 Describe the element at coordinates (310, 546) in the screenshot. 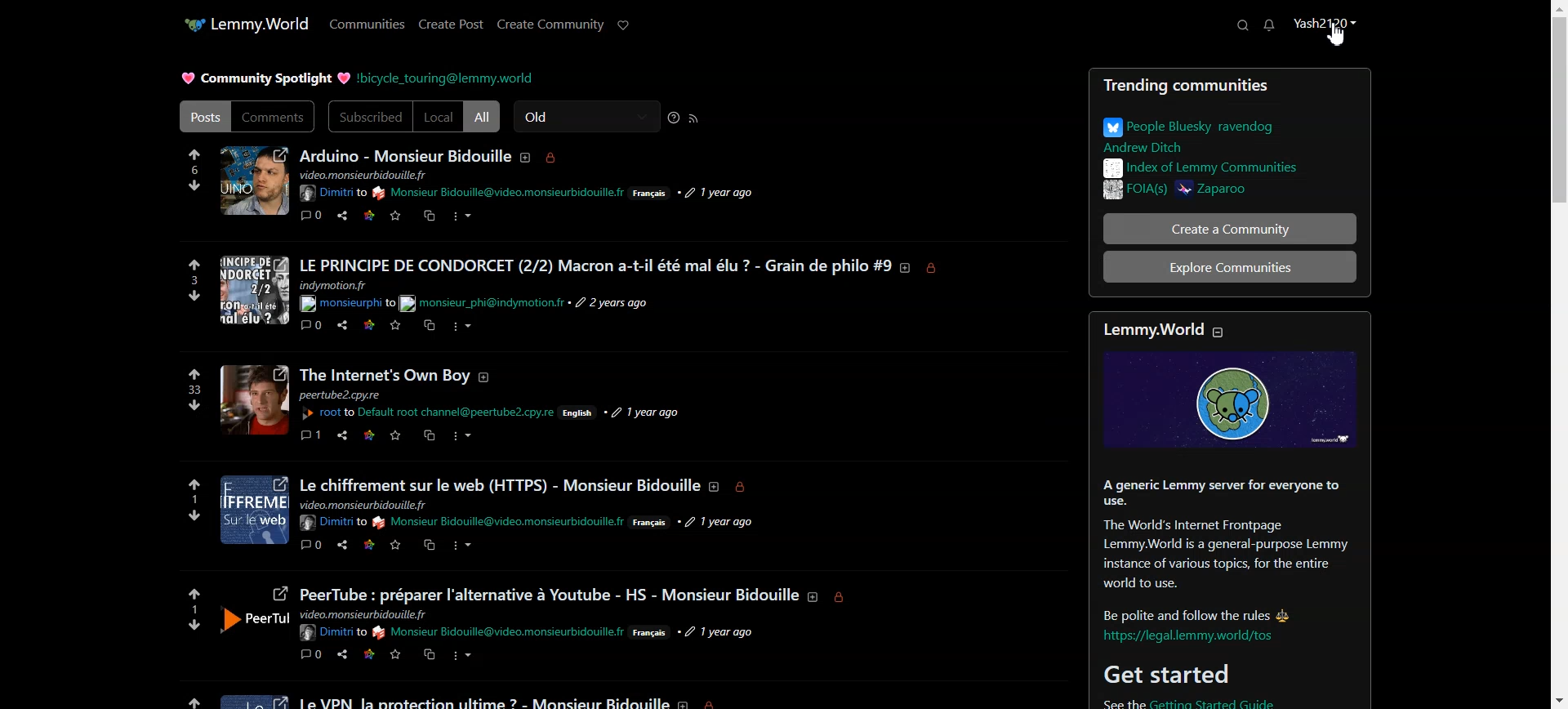

I see `comment` at that location.